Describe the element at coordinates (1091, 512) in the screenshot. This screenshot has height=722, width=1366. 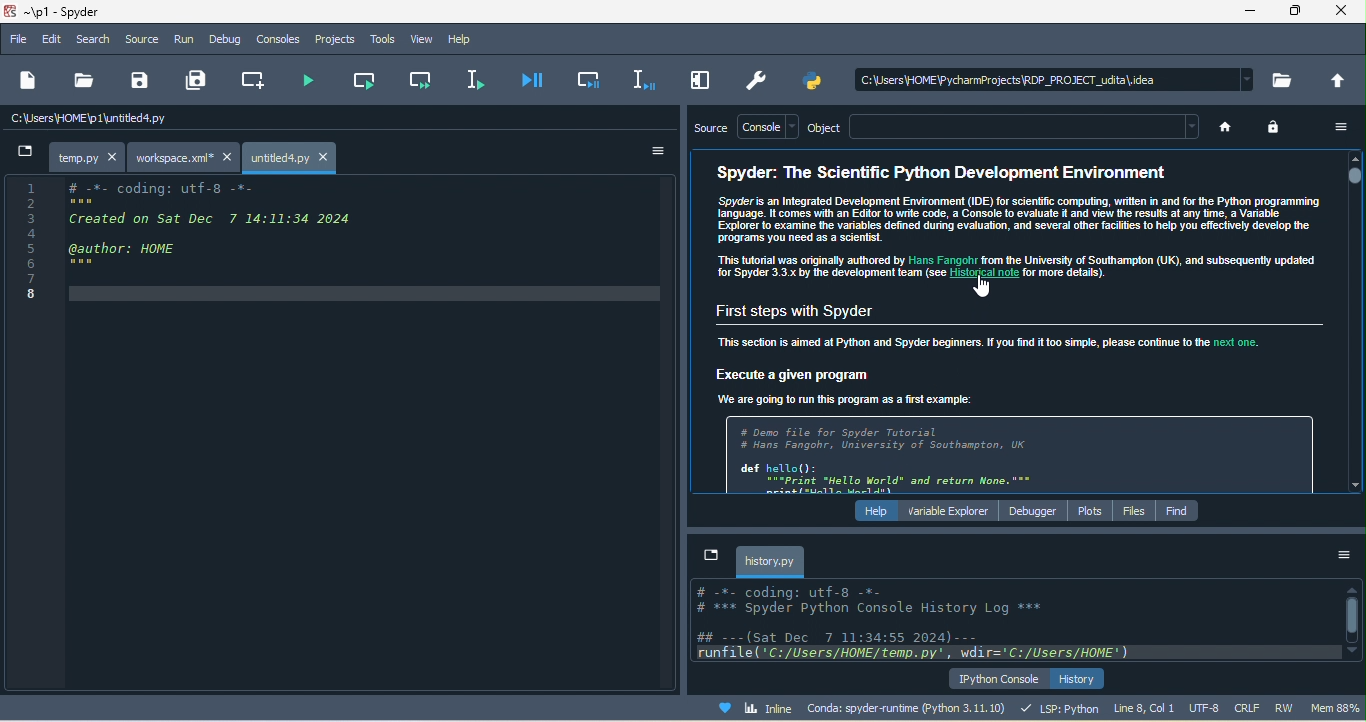
I see `plots` at that location.